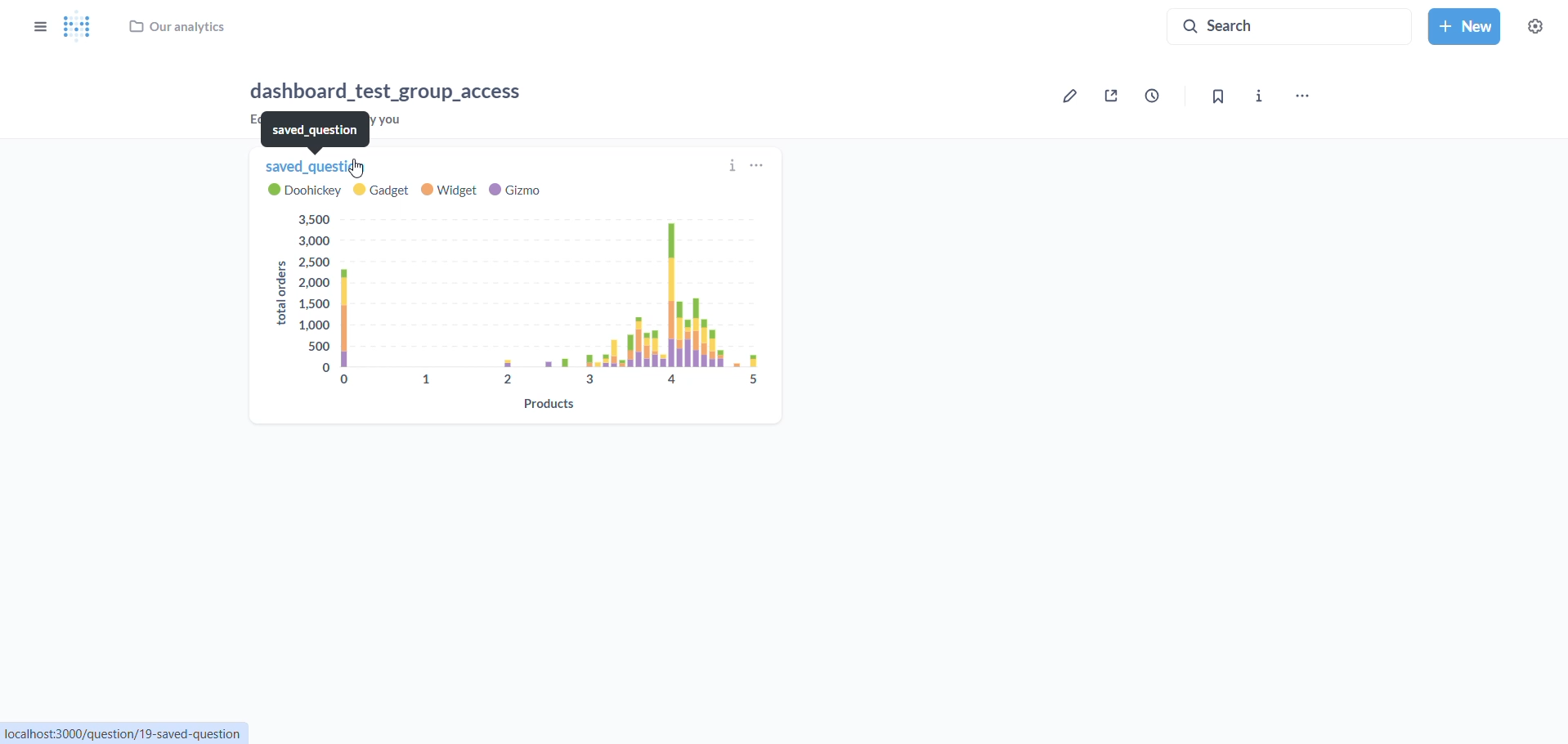 The width and height of the screenshot is (1568, 744). What do you see at coordinates (402, 85) in the screenshot?
I see `dashboard_test_group_access` at bounding box center [402, 85].